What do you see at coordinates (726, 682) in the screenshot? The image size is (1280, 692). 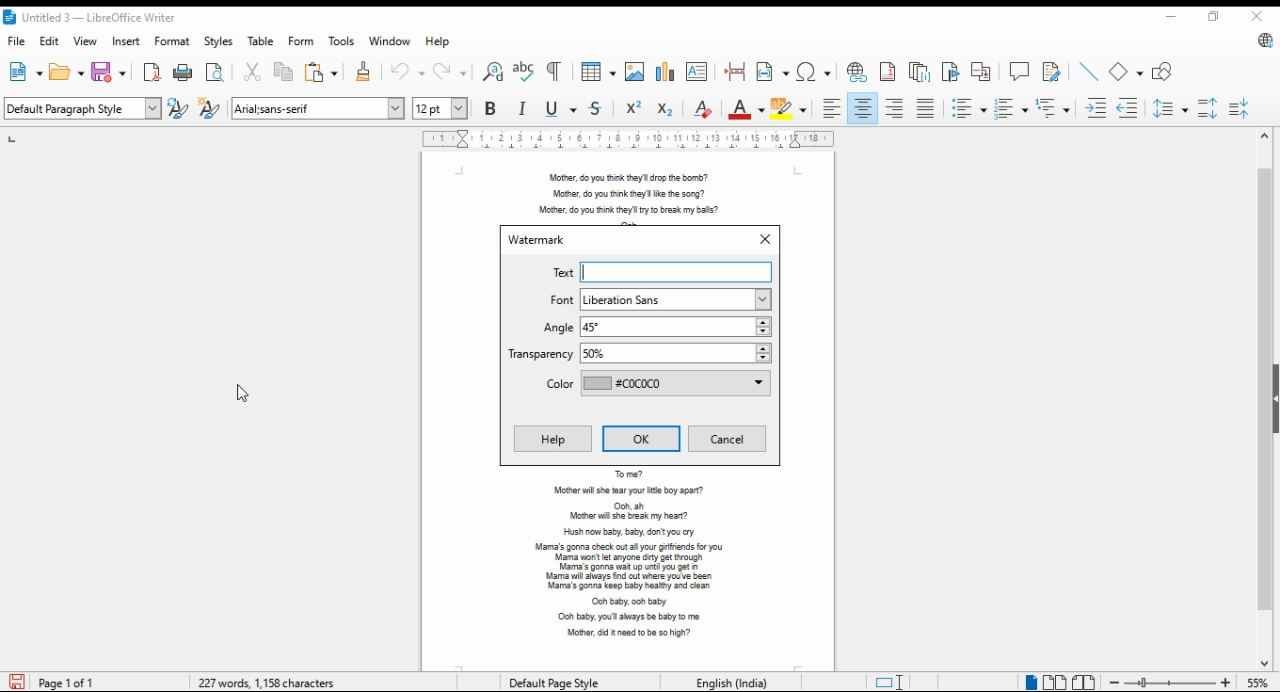 I see `Language` at bounding box center [726, 682].